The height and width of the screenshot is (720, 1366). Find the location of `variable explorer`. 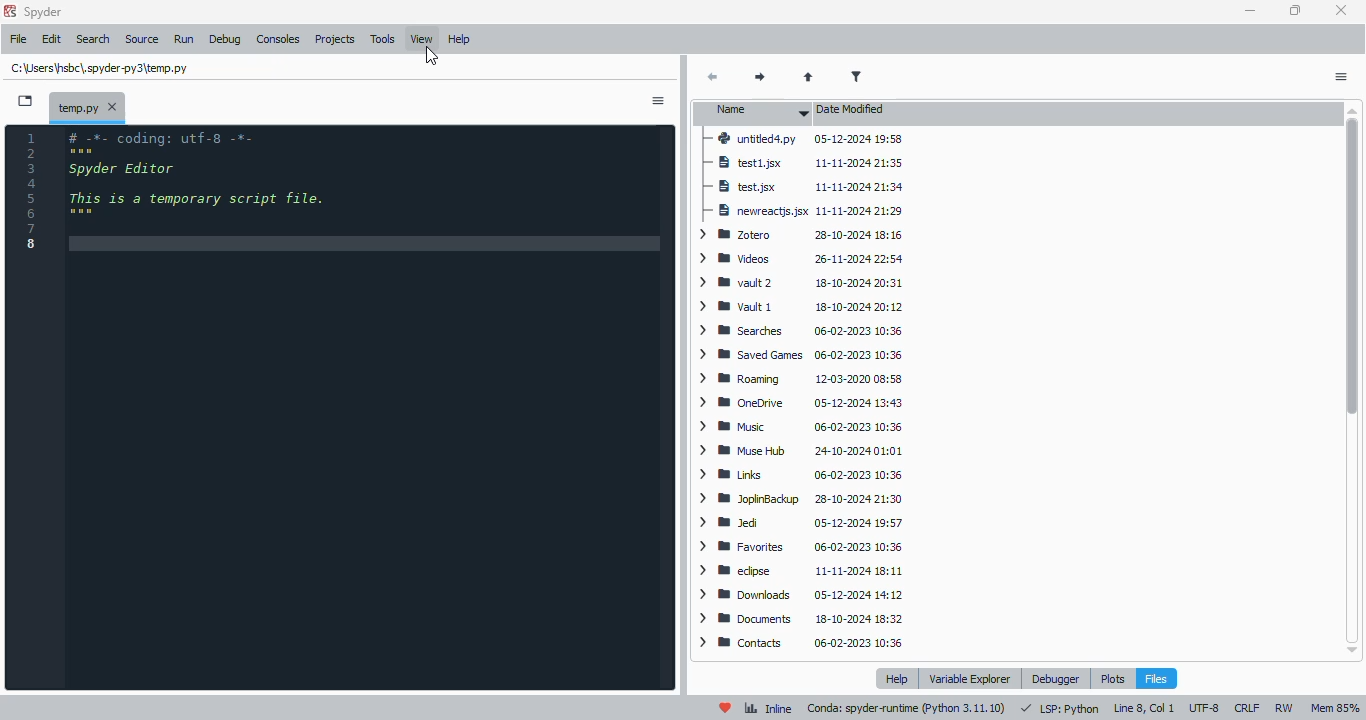

variable explorer is located at coordinates (970, 678).